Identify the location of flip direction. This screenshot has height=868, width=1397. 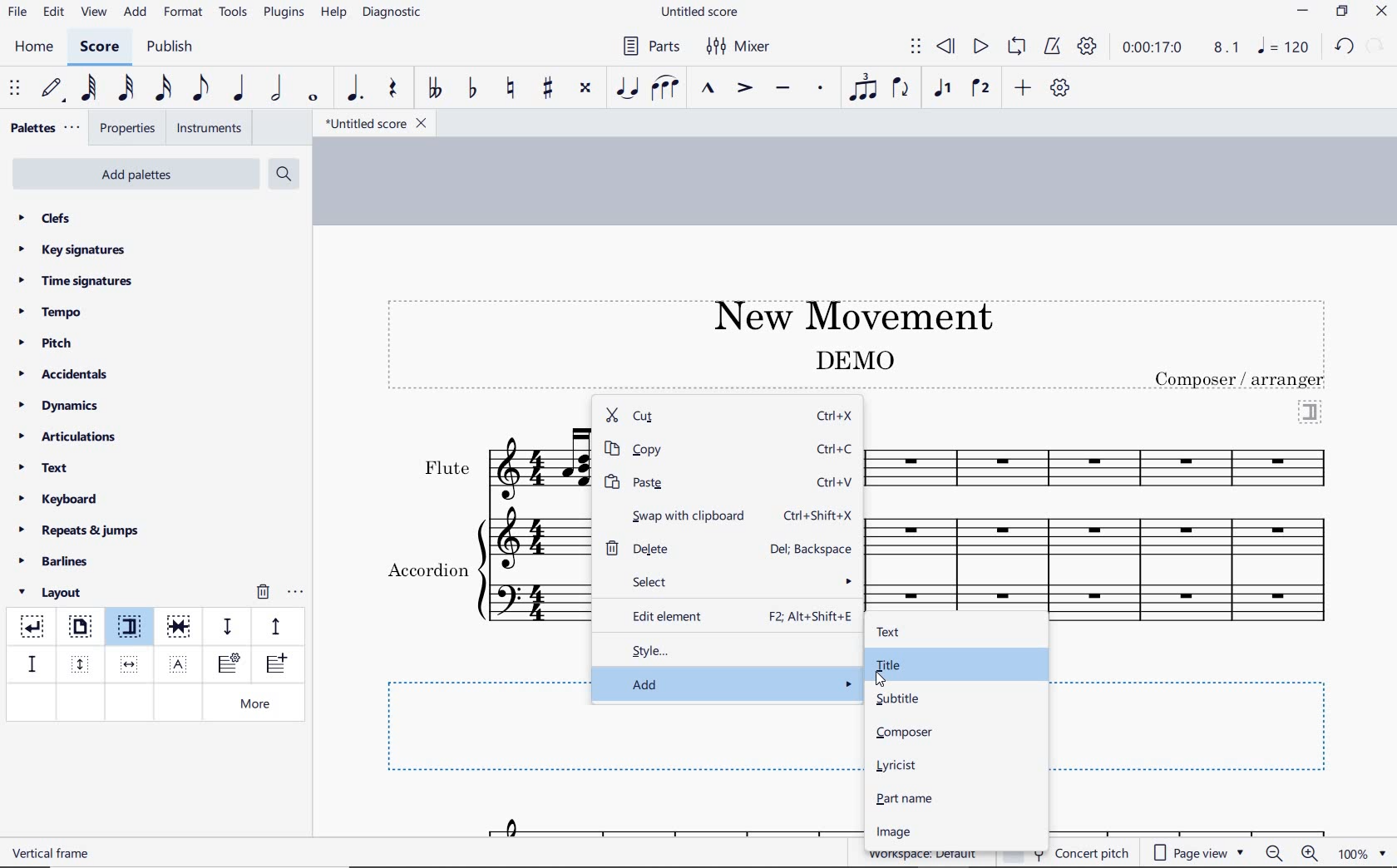
(901, 86).